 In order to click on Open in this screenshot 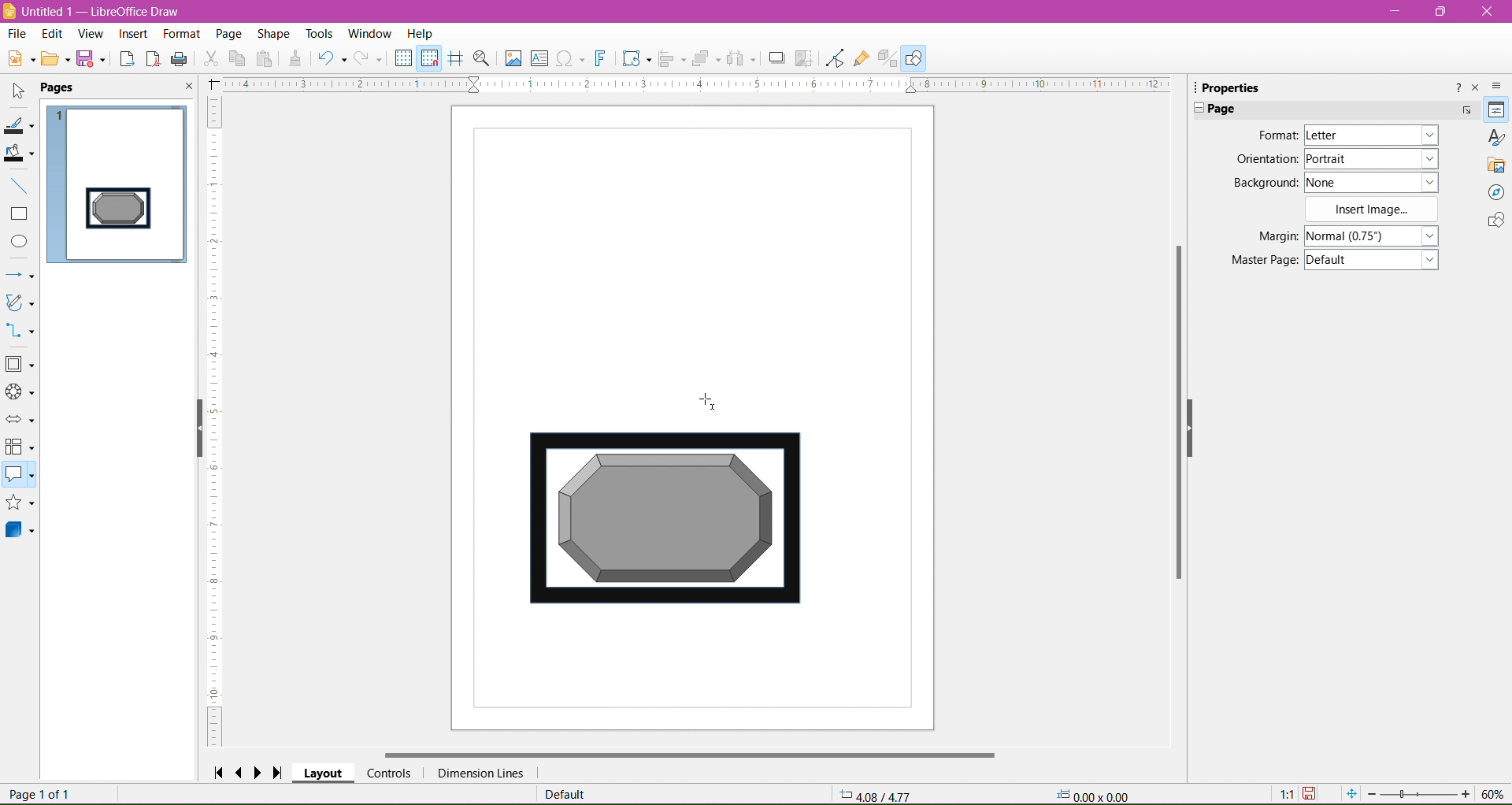, I will do `click(56, 61)`.